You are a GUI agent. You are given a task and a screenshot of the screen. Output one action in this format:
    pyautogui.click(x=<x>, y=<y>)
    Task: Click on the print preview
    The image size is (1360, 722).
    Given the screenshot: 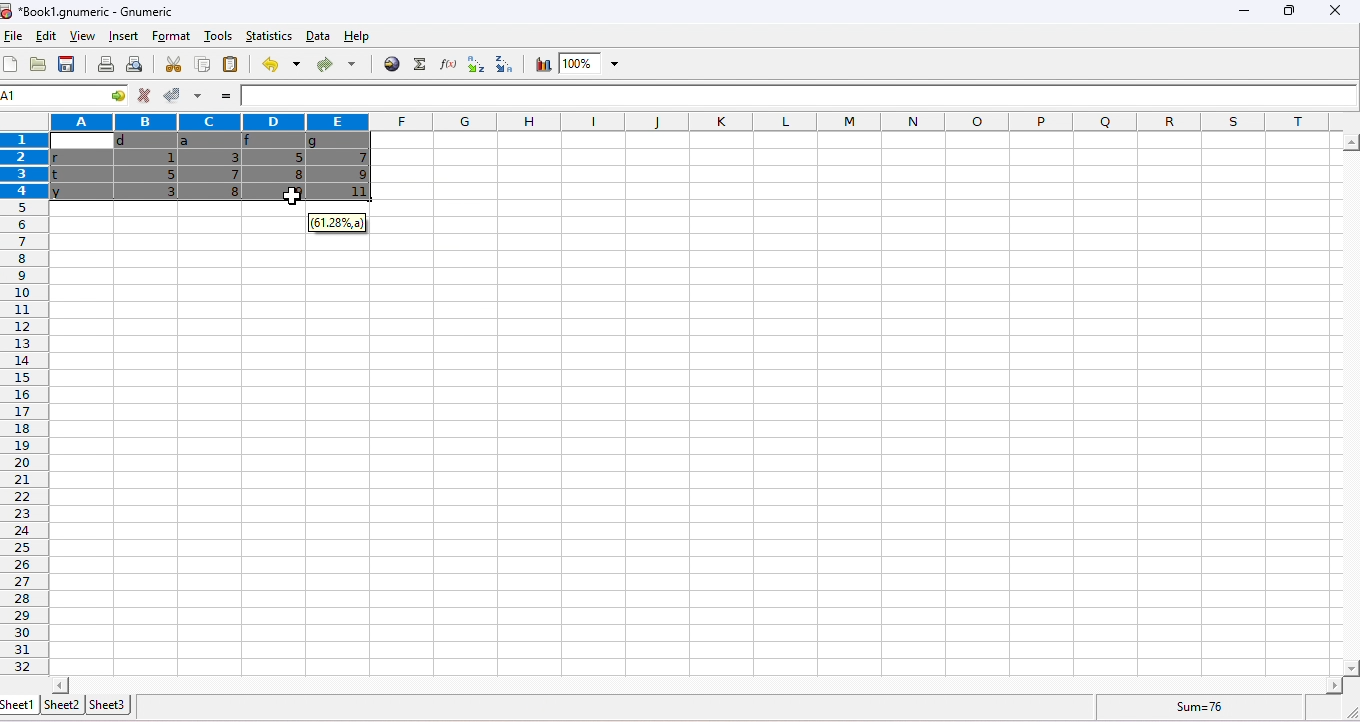 What is the action you would take?
    pyautogui.click(x=133, y=65)
    